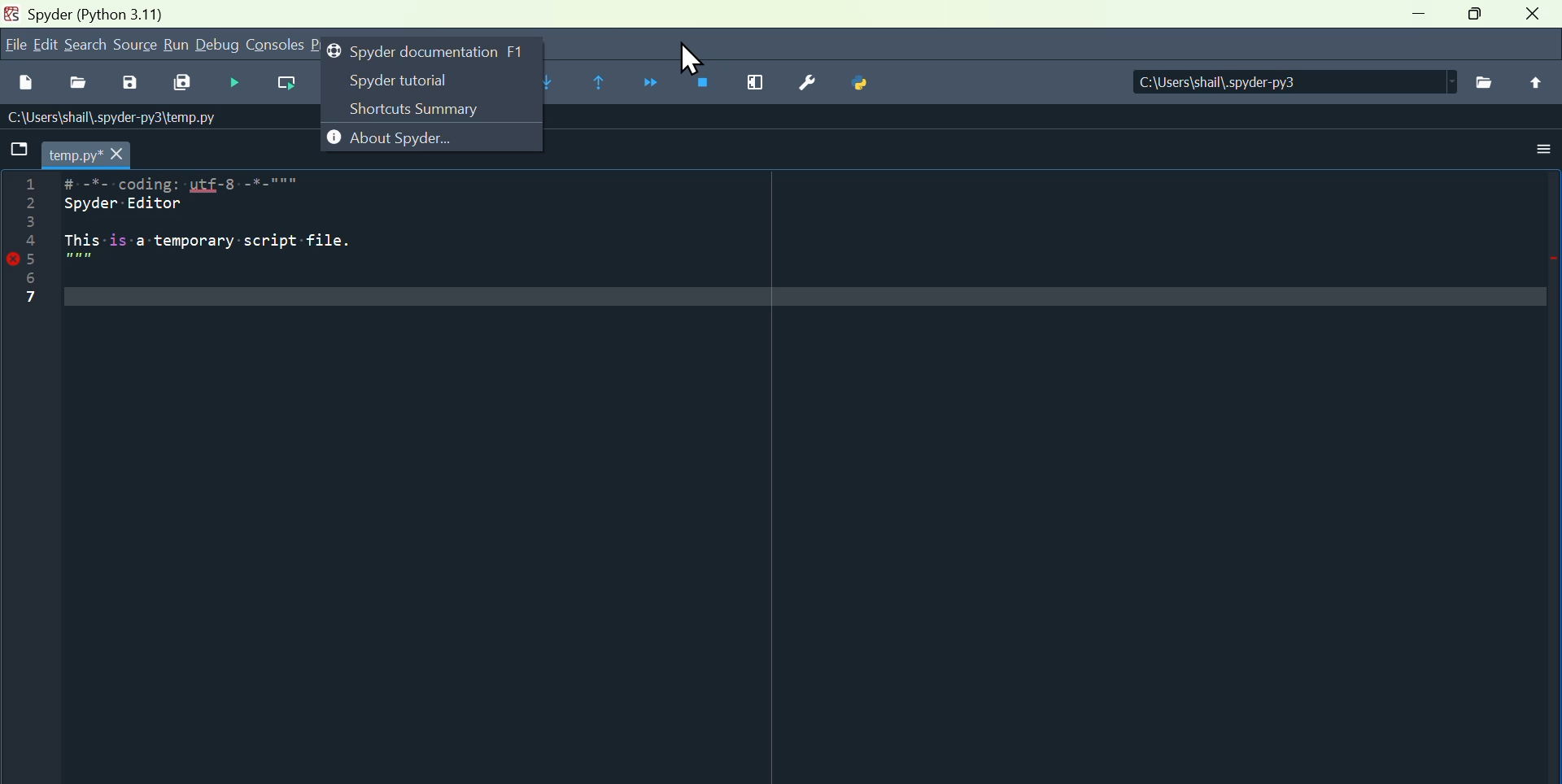 This screenshot has width=1562, height=784. Describe the element at coordinates (11, 258) in the screenshot. I see `error icon` at that location.